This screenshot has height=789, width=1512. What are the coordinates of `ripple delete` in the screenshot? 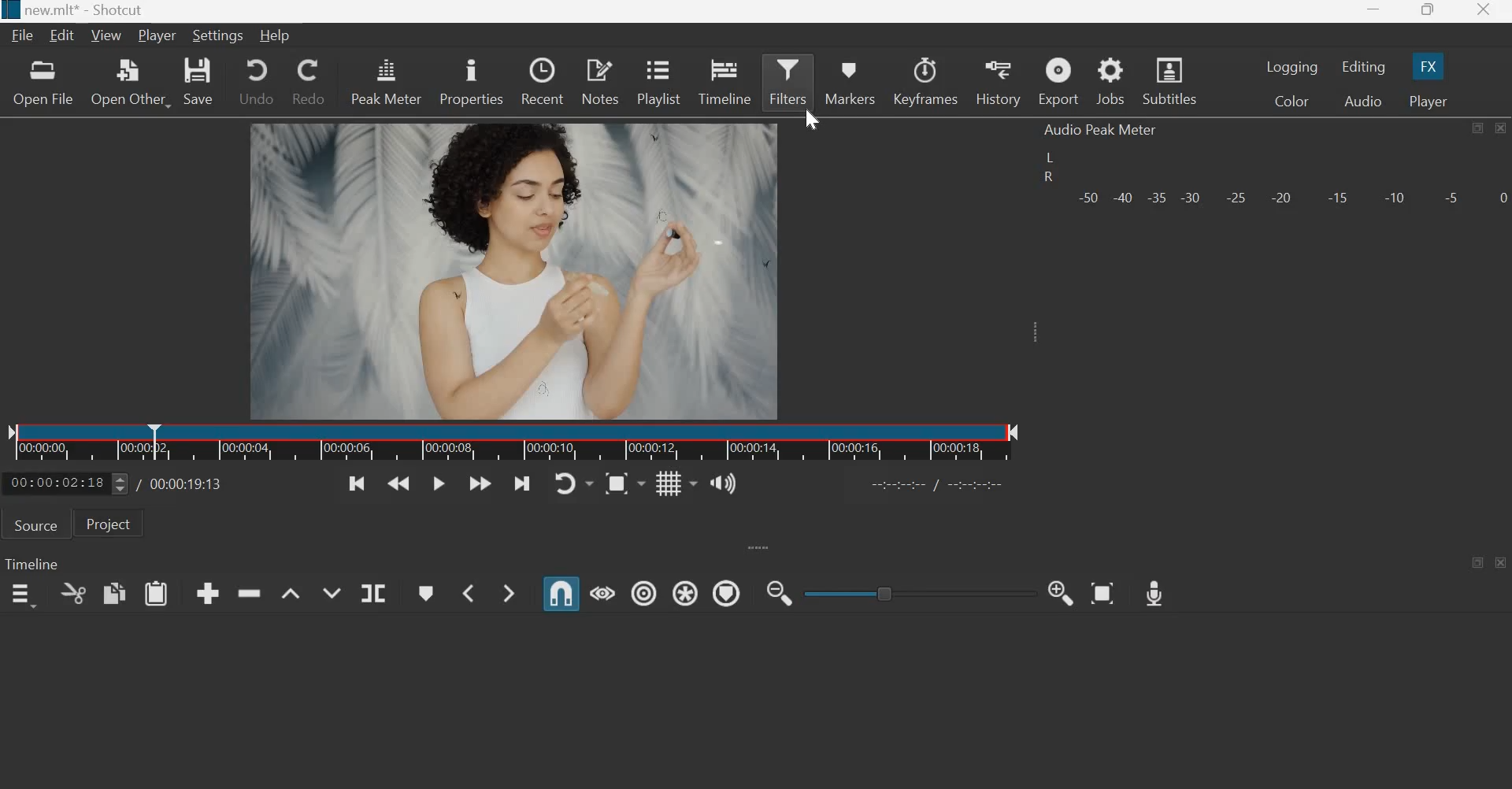 It's located at (249, 592).